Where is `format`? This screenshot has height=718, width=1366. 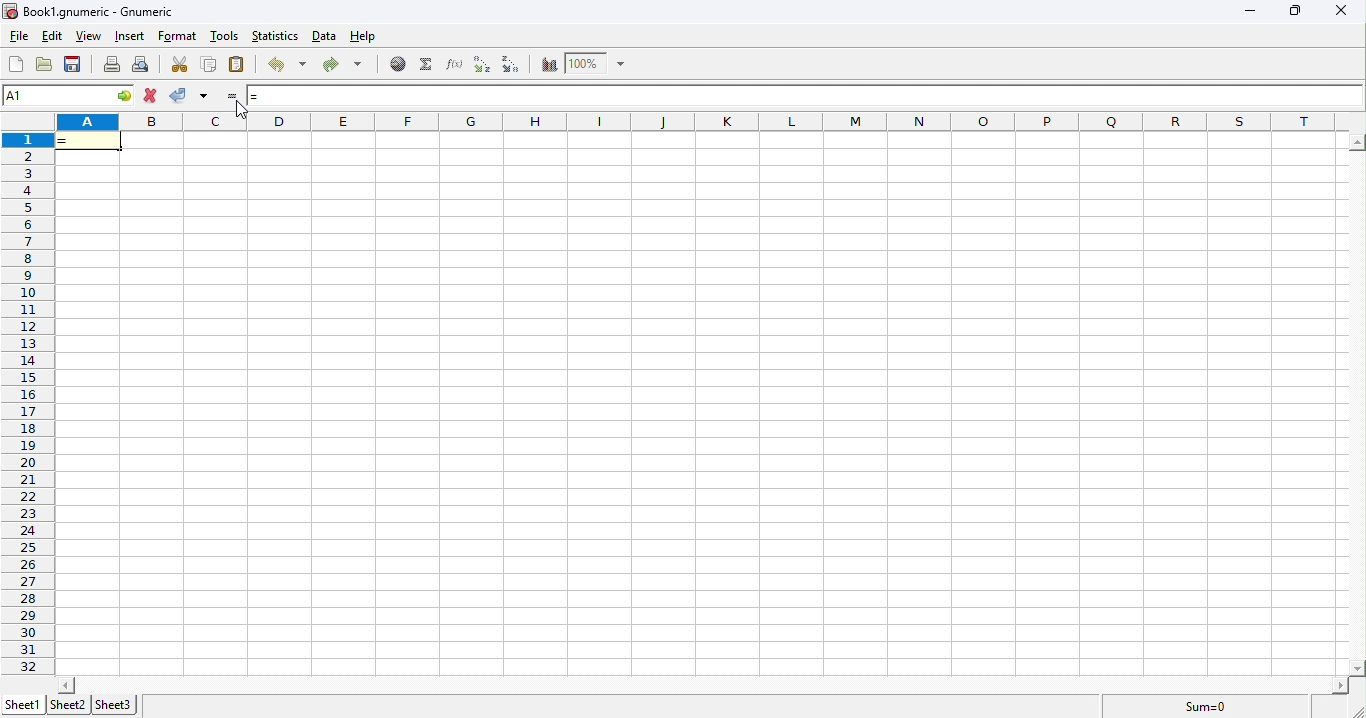 format is located at coordinates (178, 36).